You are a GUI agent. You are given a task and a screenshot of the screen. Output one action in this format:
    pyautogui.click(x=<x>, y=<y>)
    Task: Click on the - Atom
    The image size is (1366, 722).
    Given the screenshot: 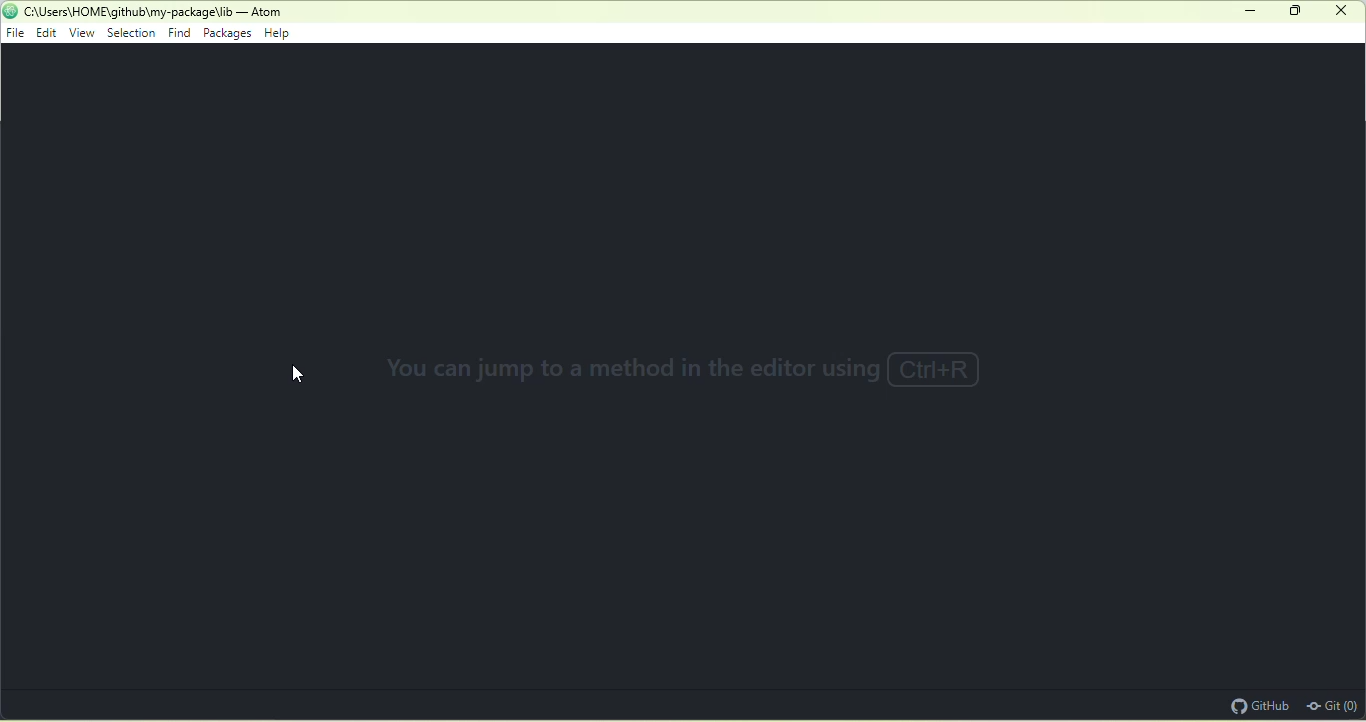 What is the action you would take?
    pyautogui.click(x=262, y=12)
    